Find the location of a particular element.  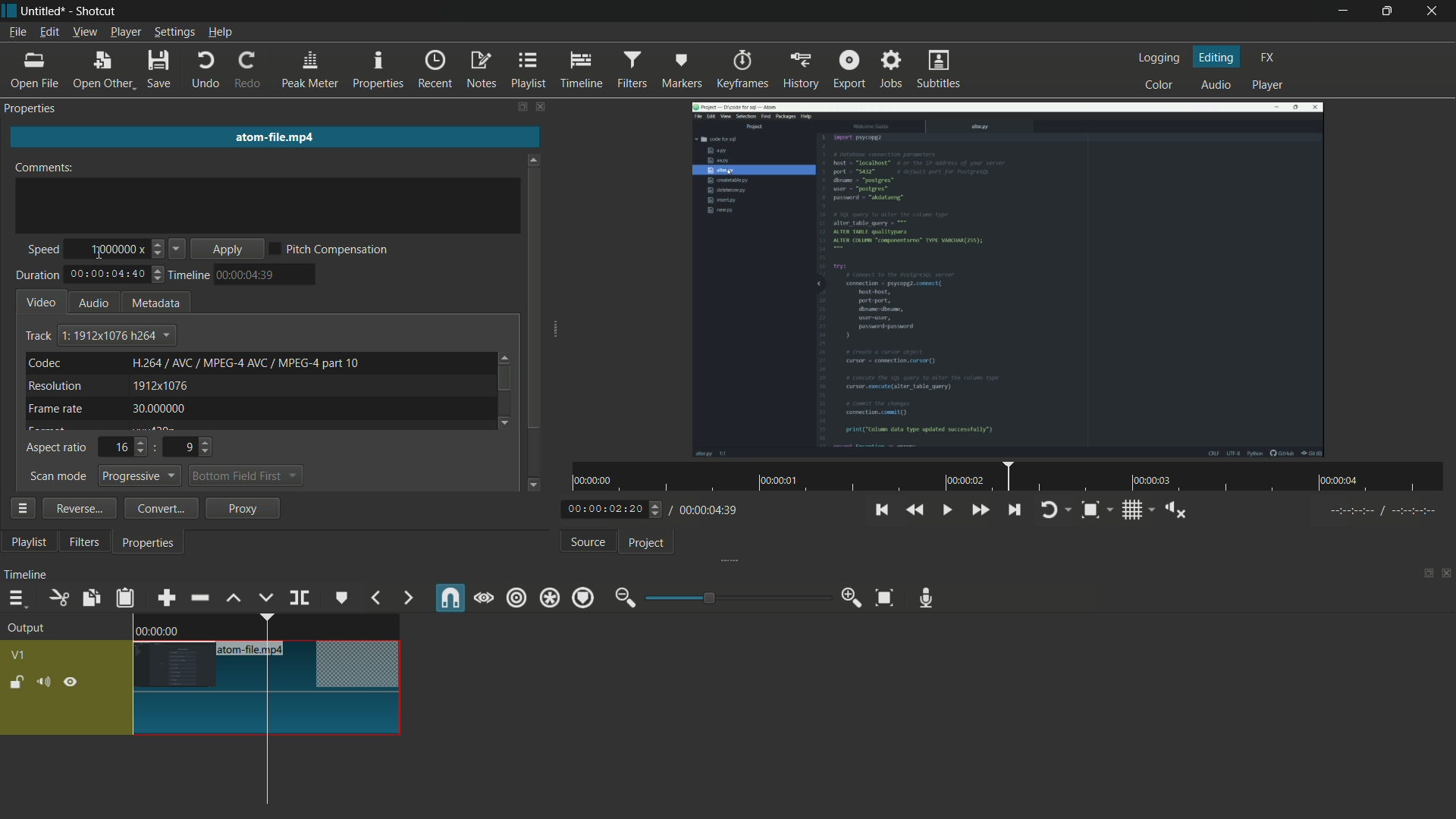

metadata is located at coordinates (153, 303).